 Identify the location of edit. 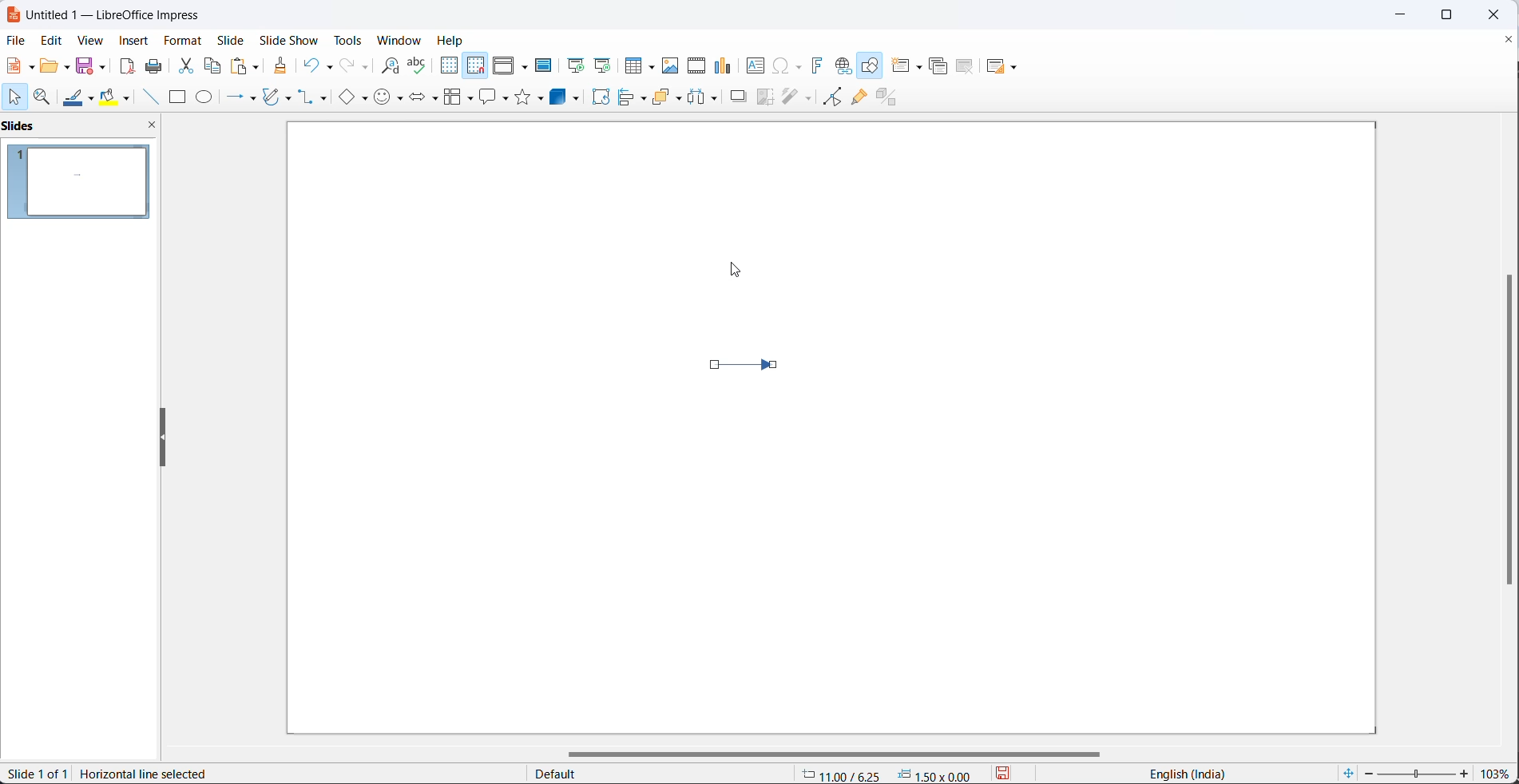
(51, 38).